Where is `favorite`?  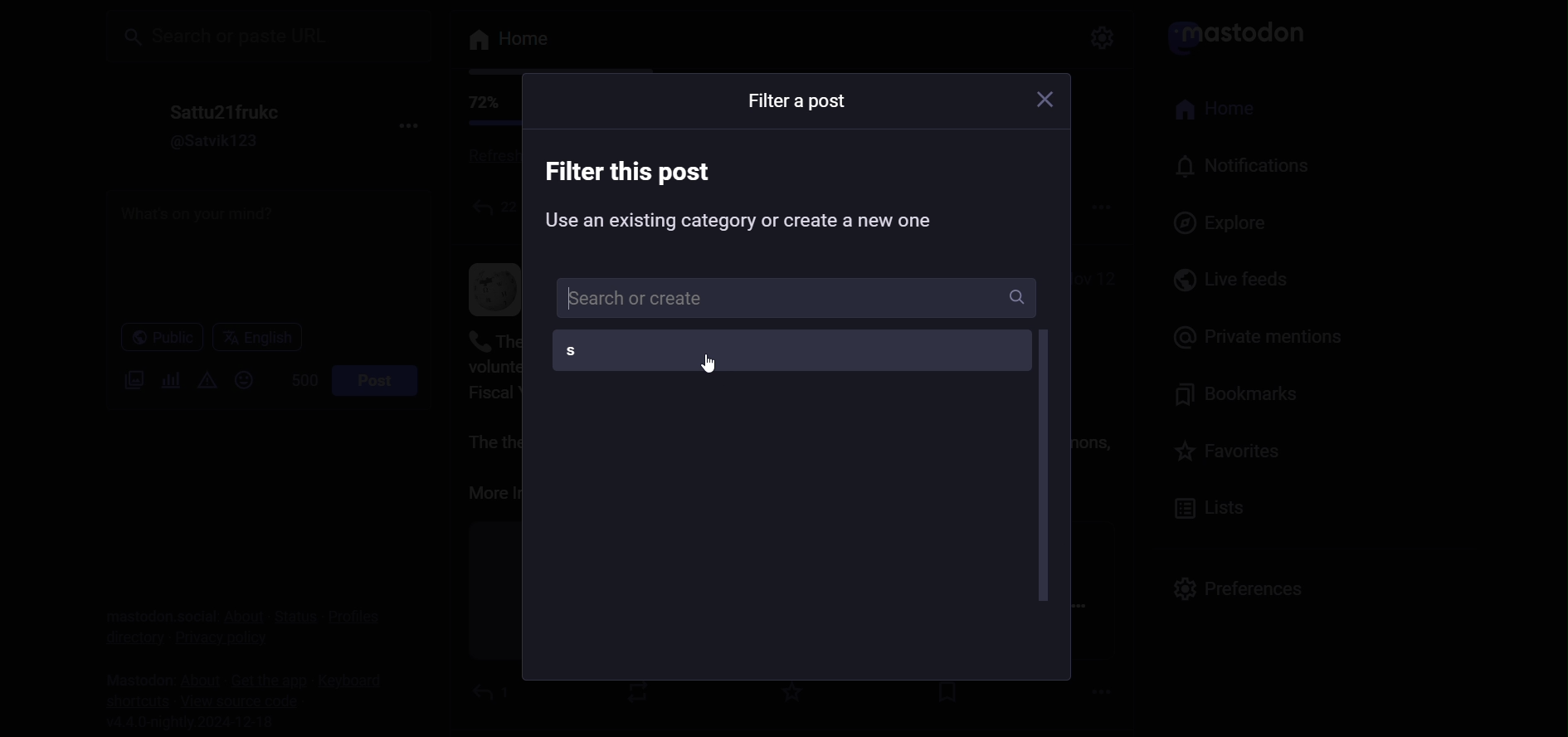 favorite is located at coordinates (1231, 457).